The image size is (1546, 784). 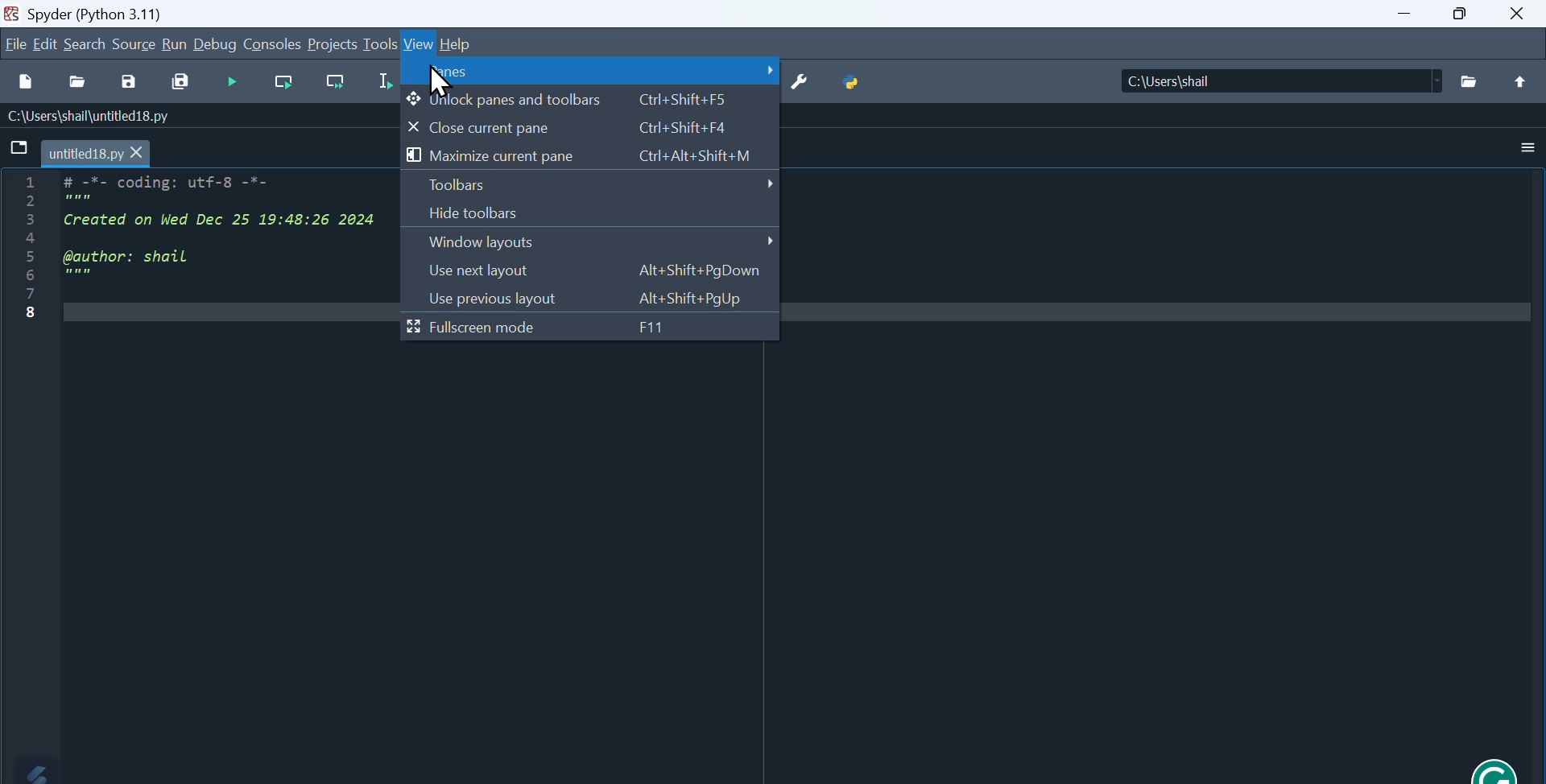 What do you see at coordinates (331, 43) in the screenshot?
I see `Projects` at bounding box center [331, 43].